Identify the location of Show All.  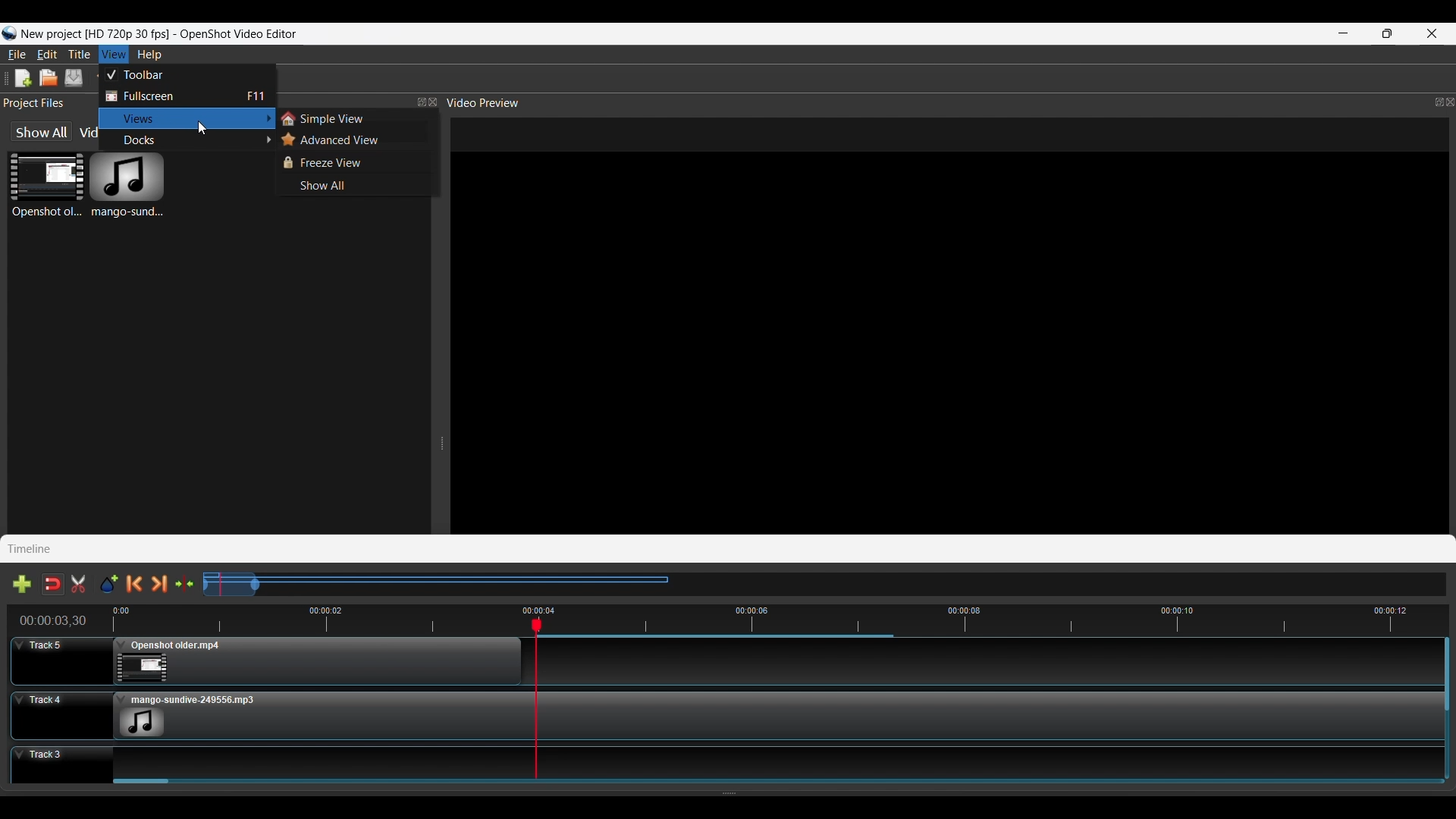
(355, 184).